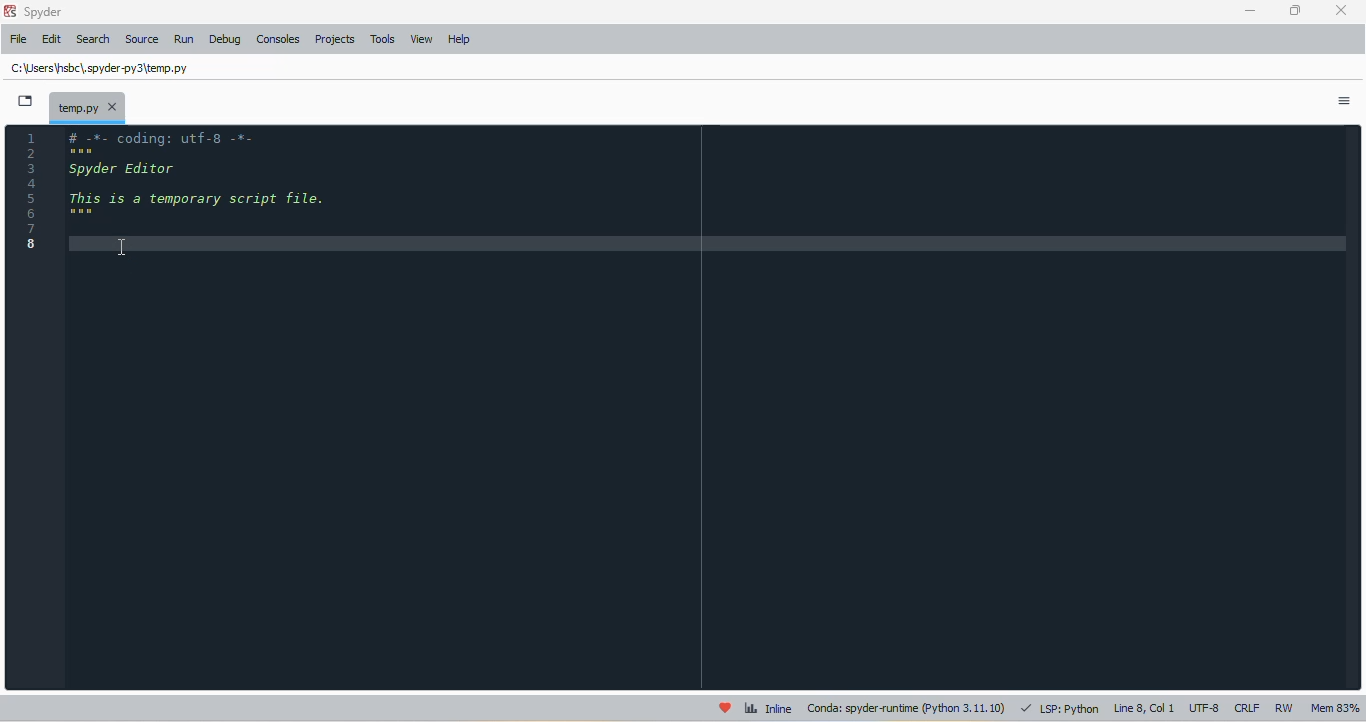 The width and height of the screenshot is (1366, 722). I want to click on source, so click(142, 39).